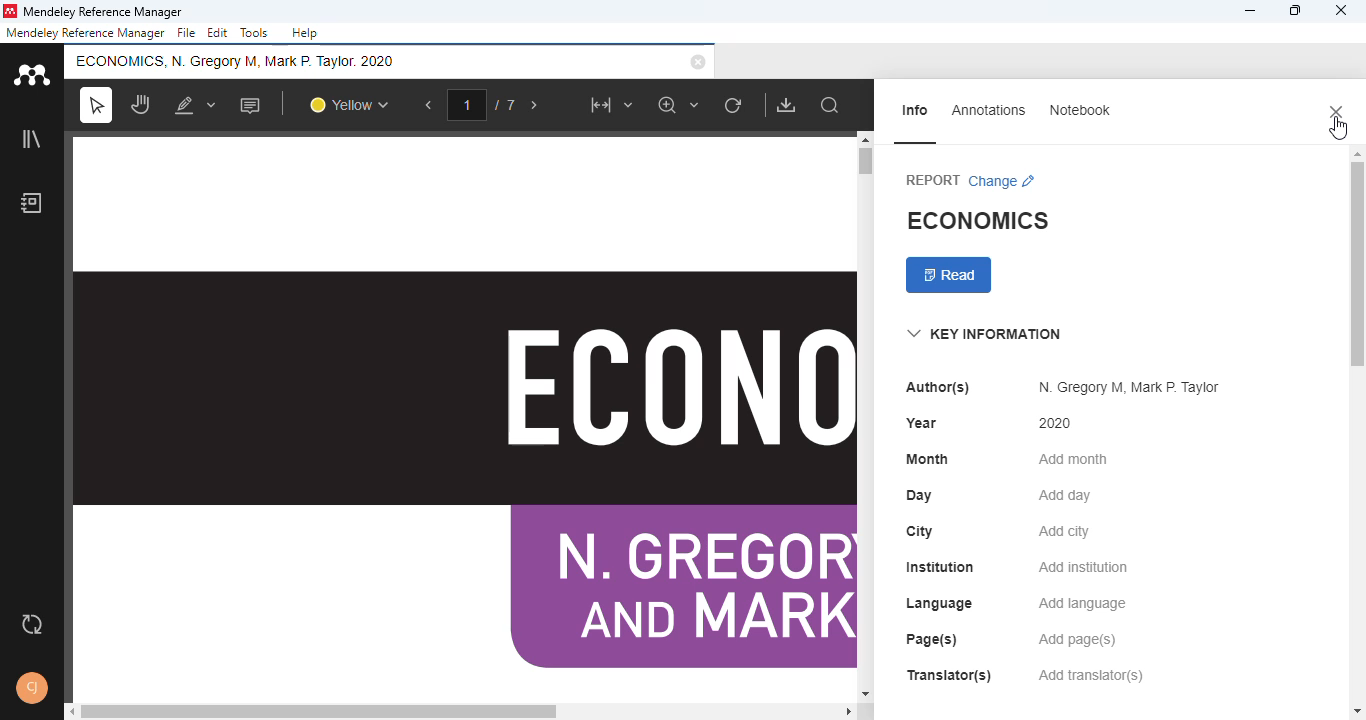 Image resolution: width=1366 pixels, height=720 pixels. Describe the element at coordinates (32, 74) in the screenshot. I see `logo` at that location.